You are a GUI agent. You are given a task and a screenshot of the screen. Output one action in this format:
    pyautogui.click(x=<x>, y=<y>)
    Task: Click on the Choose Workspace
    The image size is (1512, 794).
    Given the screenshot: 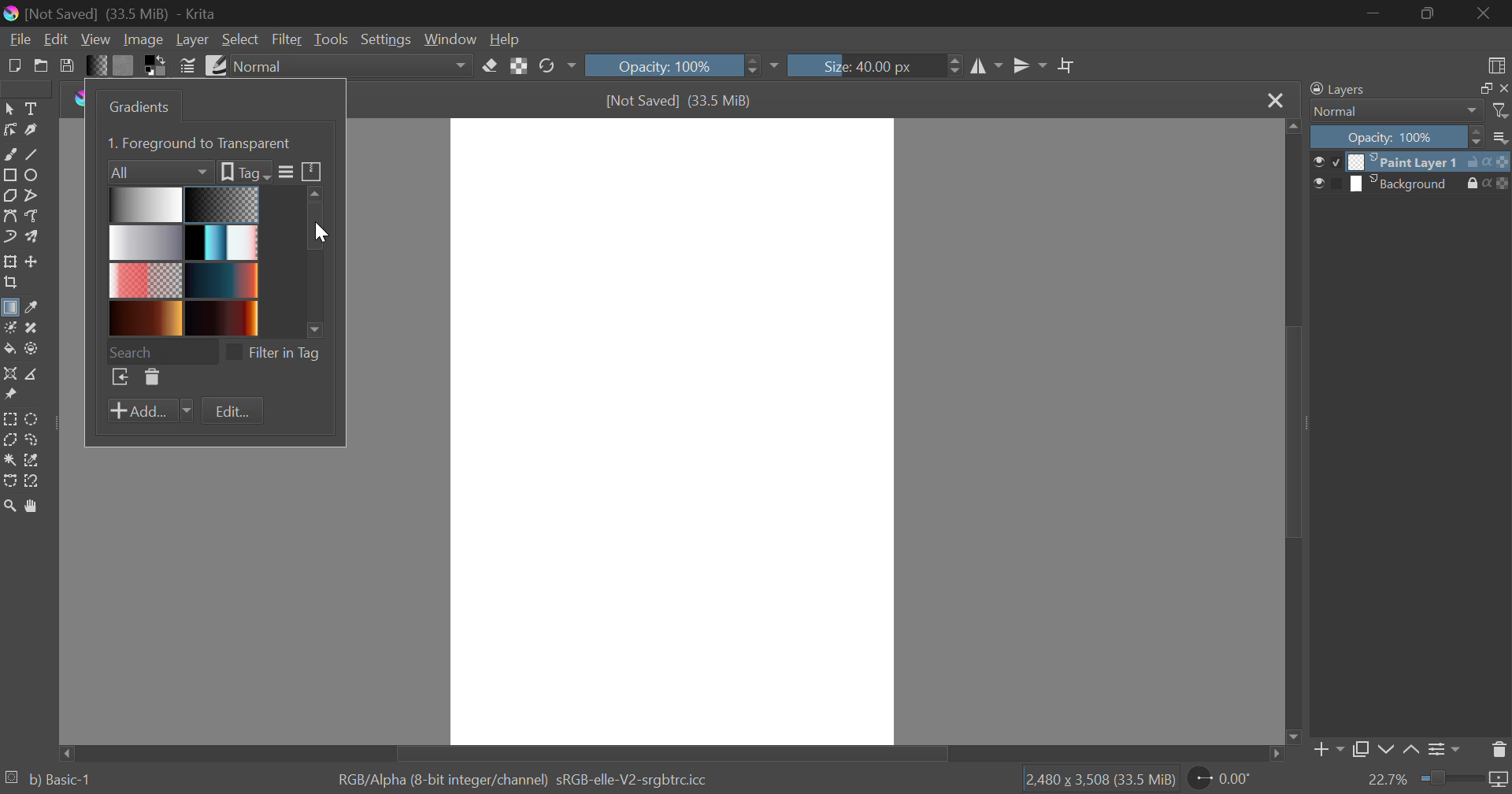 What is the action you would take?
    pyautogui.click(x=1494, y=62)
    